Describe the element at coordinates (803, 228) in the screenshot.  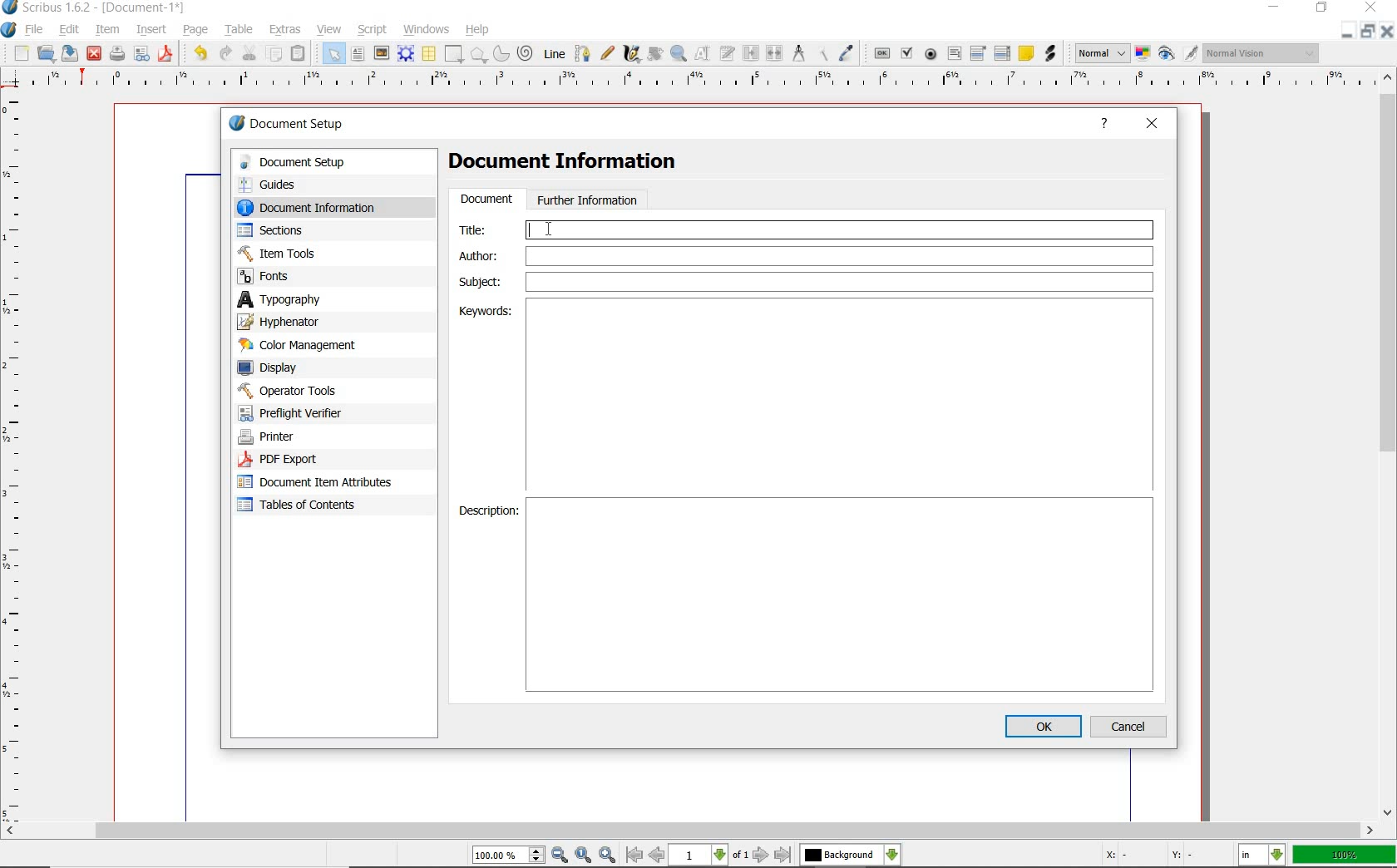
I see `Title` at that location.